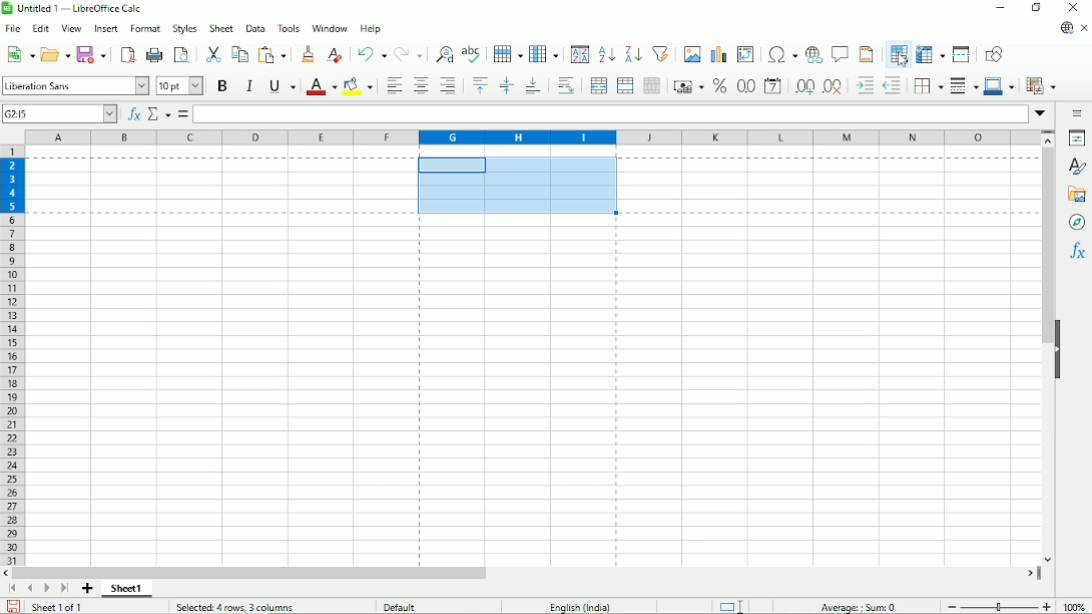 This screenshot has width=1092, height=614. Describe the element at coordinates (14, 356) in the screenshot. I see `Row headings` at that location.